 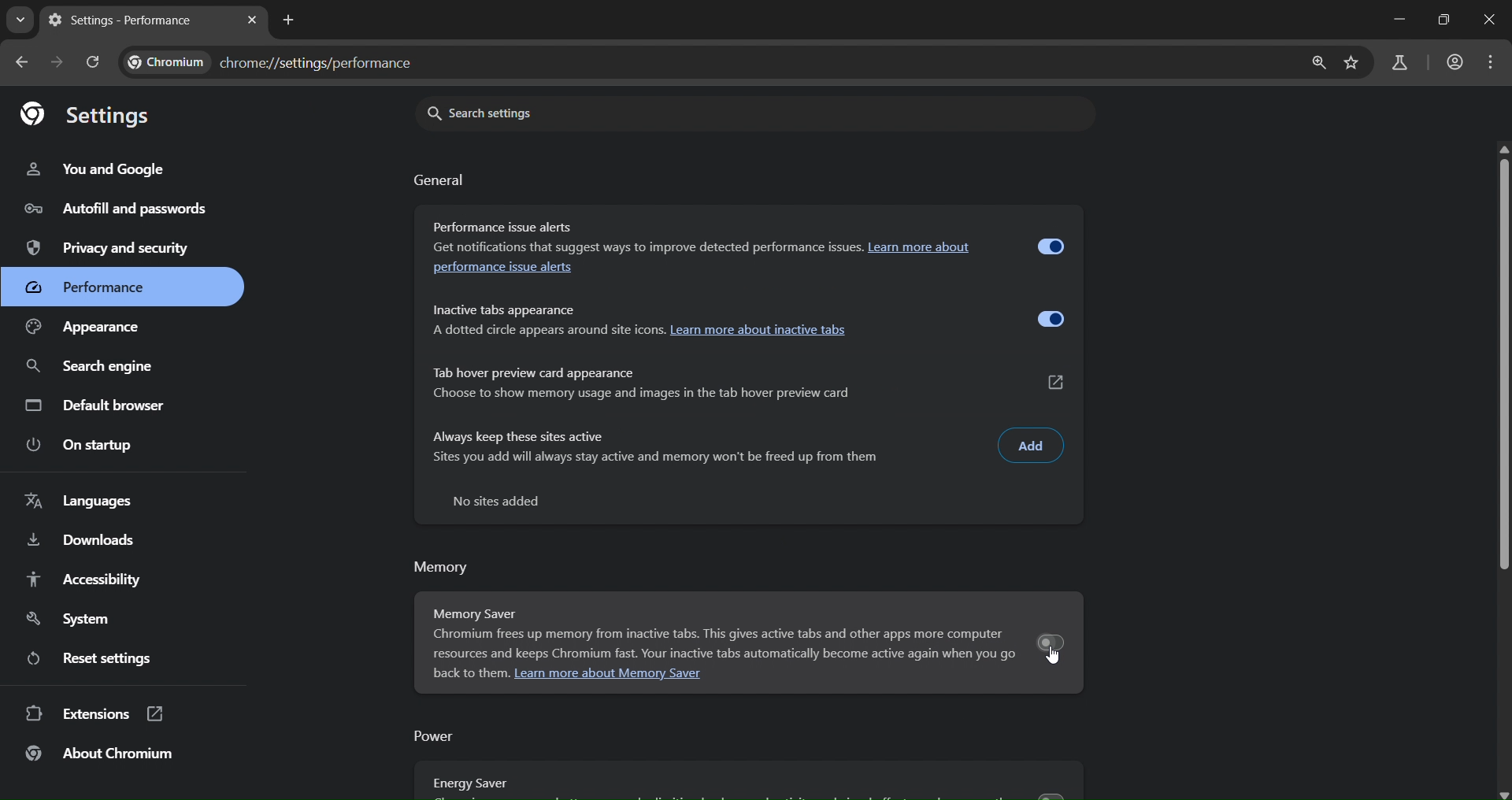 I want to click on settings - Performance, so click(x=126, y=20).